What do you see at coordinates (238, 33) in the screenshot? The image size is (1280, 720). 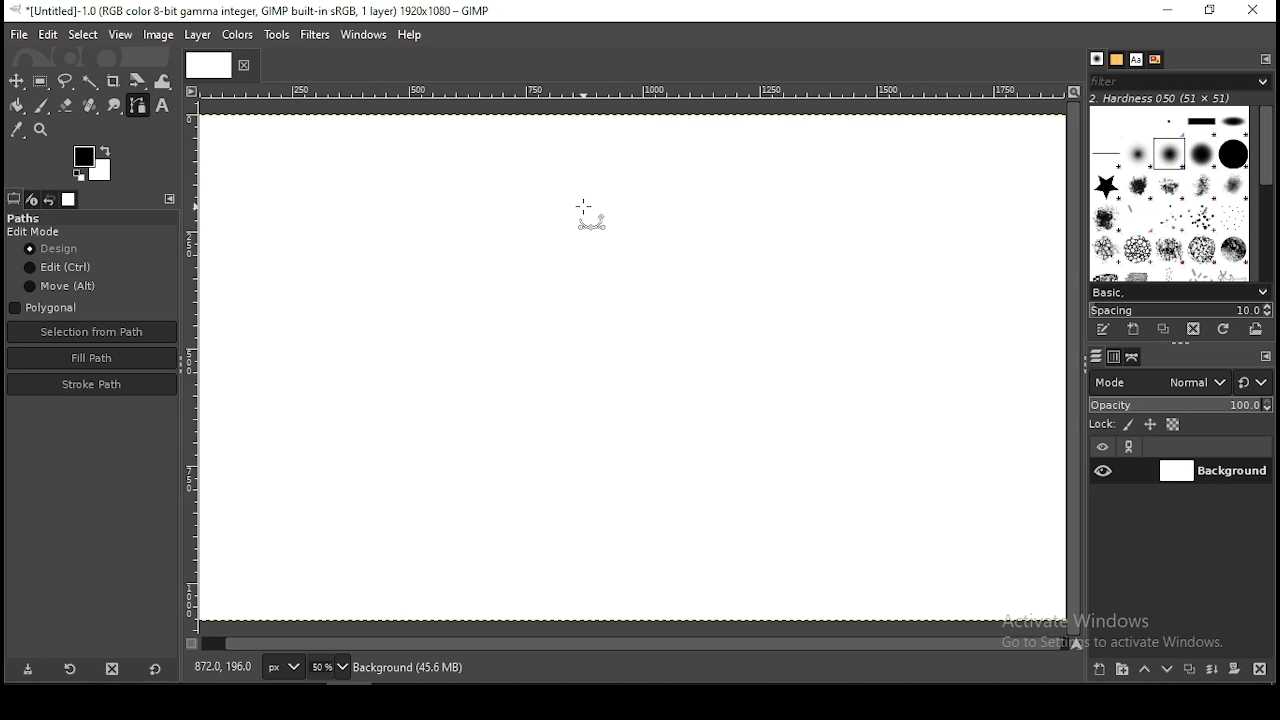 I see `colors` at bounding box center [238, 33].